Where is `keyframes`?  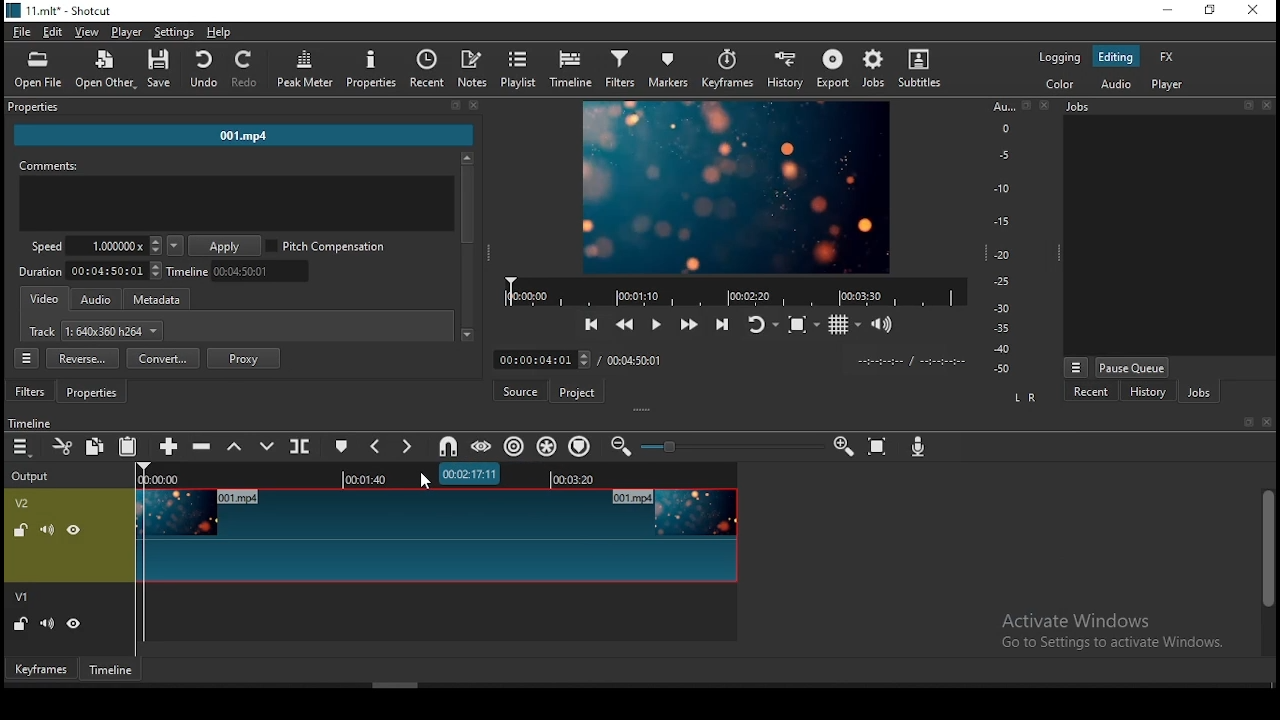 keyframes is located at coordinates (730, 70).